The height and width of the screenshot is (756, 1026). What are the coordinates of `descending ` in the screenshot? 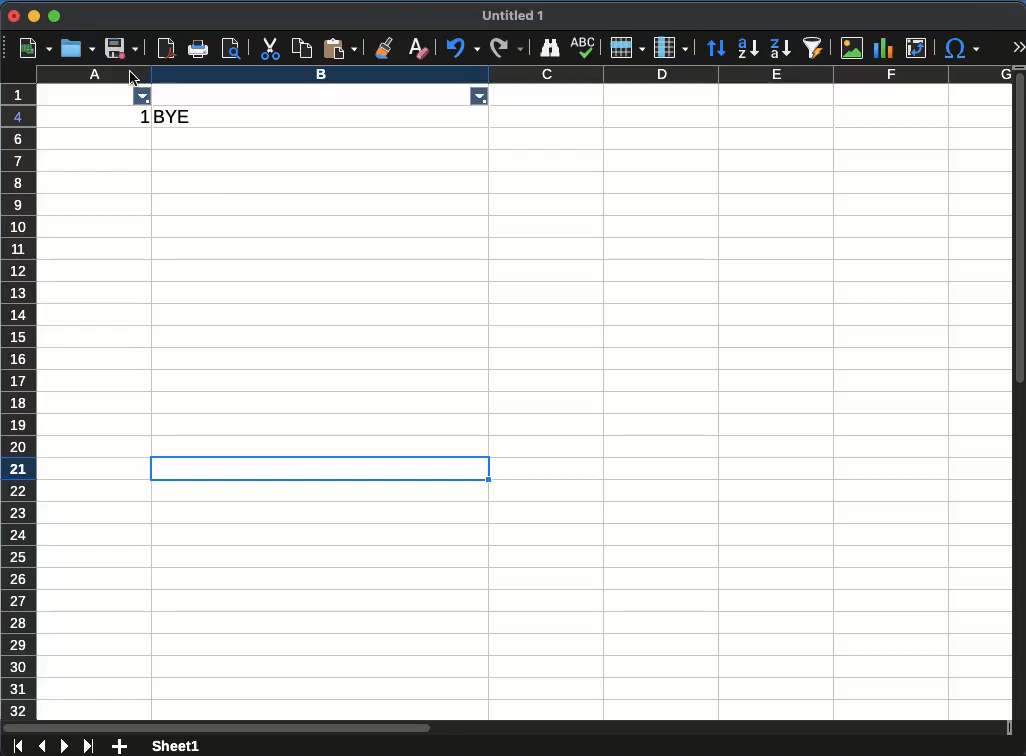 It's located at (782, 49).